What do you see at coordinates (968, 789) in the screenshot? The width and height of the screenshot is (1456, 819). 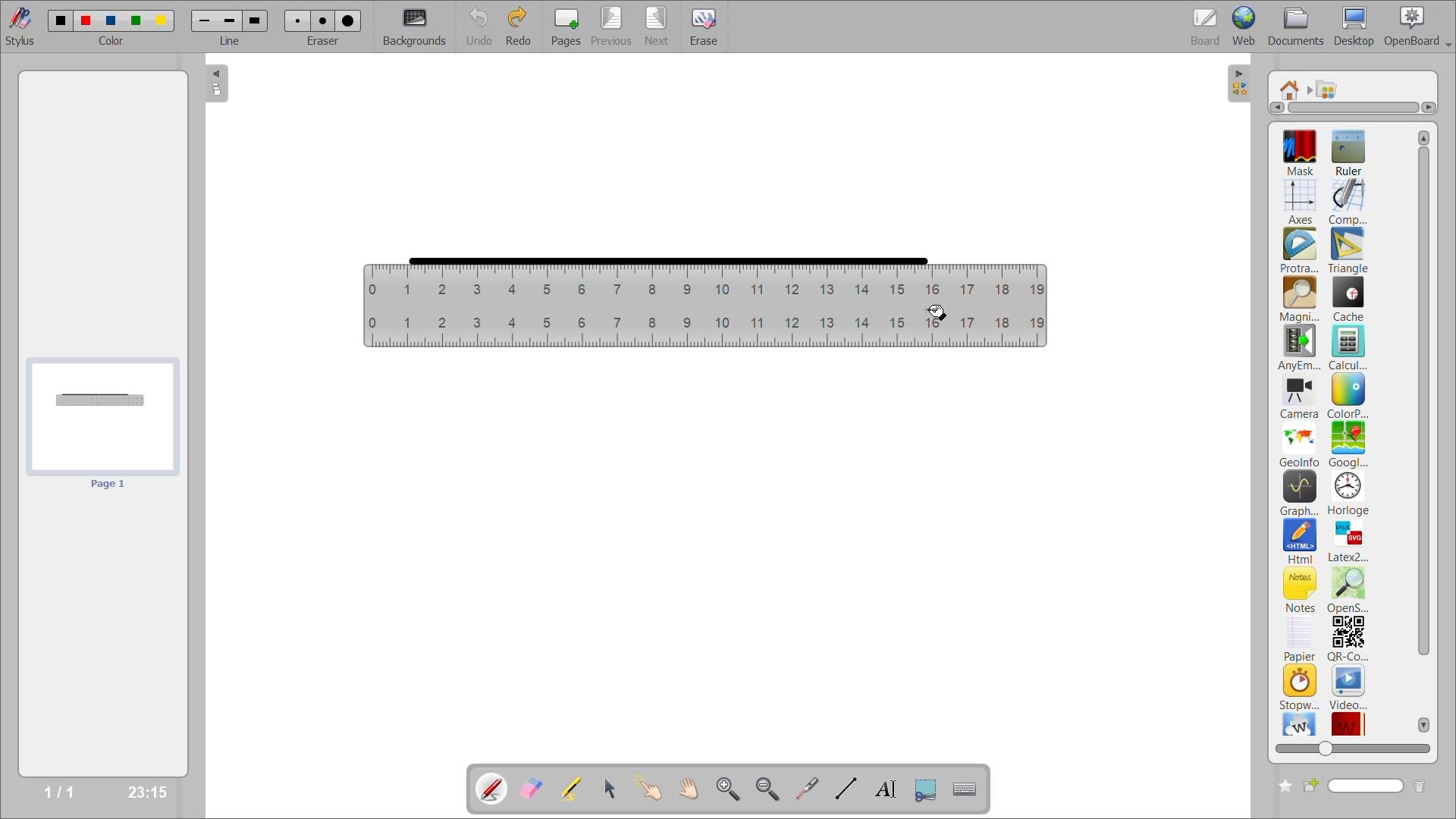 I see `display virtual keyboard` at bounding box center [968, 789].